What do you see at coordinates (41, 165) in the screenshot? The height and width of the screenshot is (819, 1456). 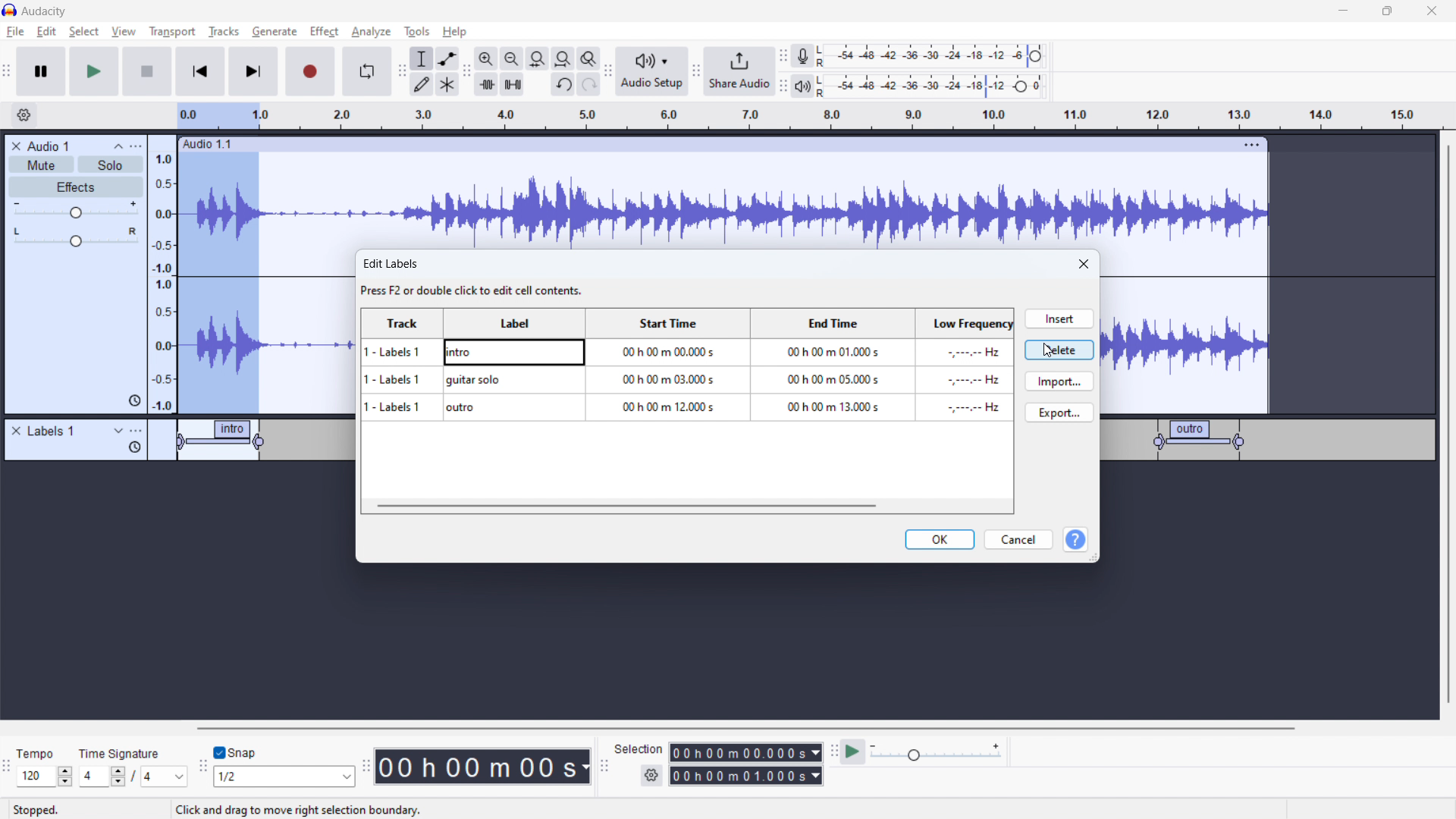 I see `mute` at bounding box center [41, 165].